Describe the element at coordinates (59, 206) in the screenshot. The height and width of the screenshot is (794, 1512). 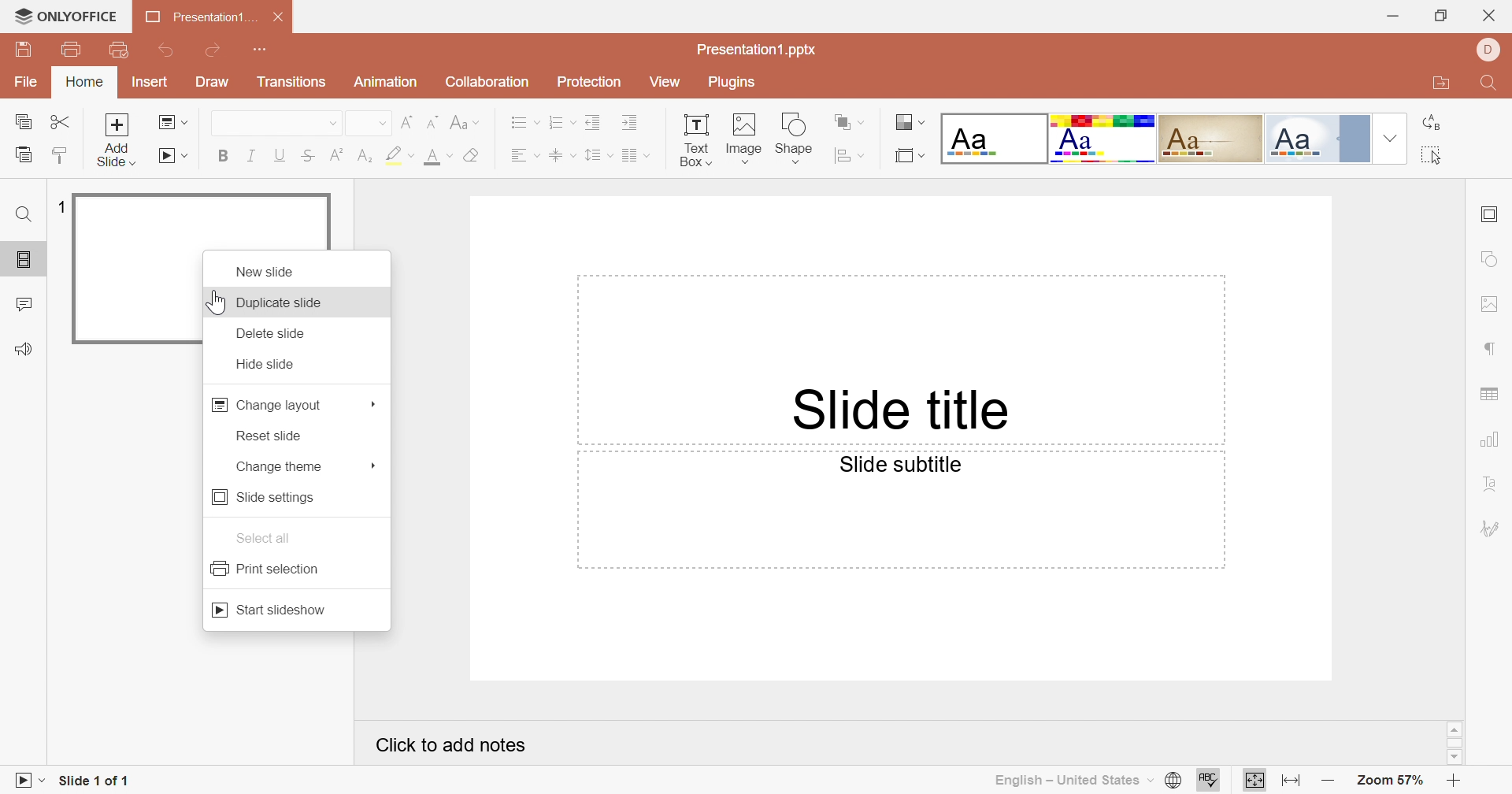
I see `1` at that location.